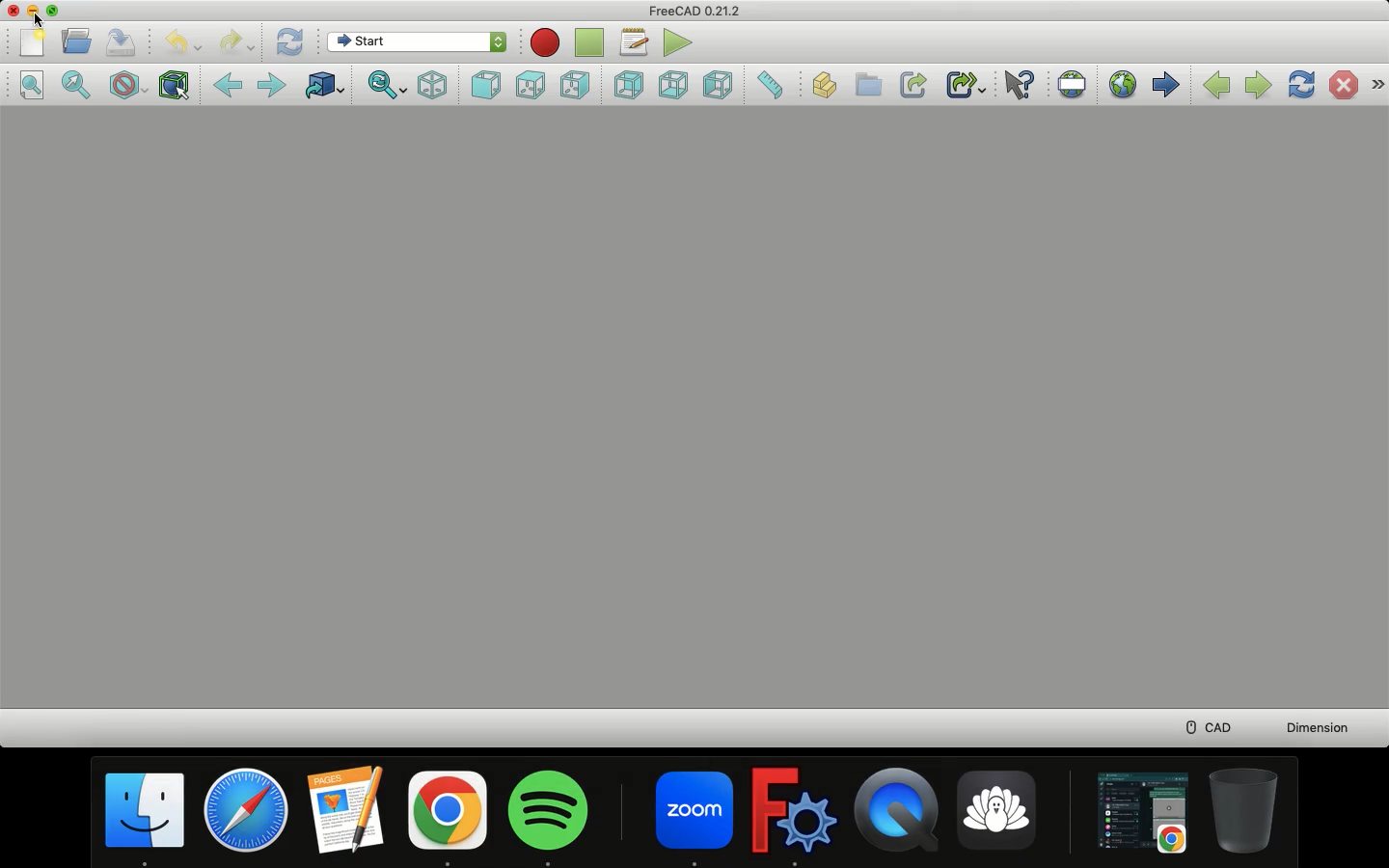  I want to click on What's this?, so click(1021, 86).